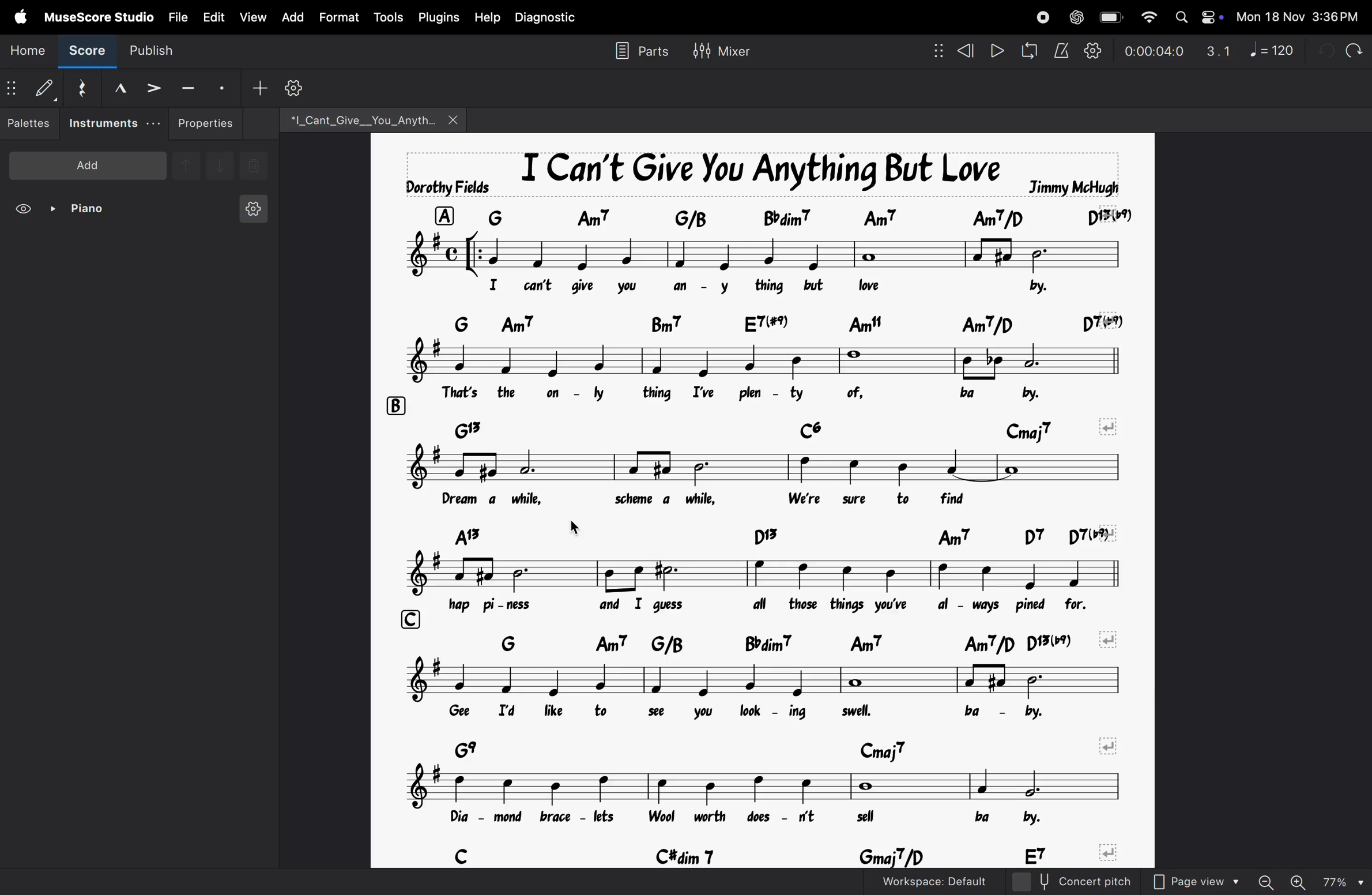 Image resolution: width=1372 pixels, height=895 pixels. I want to click on add, so click(293, 18).